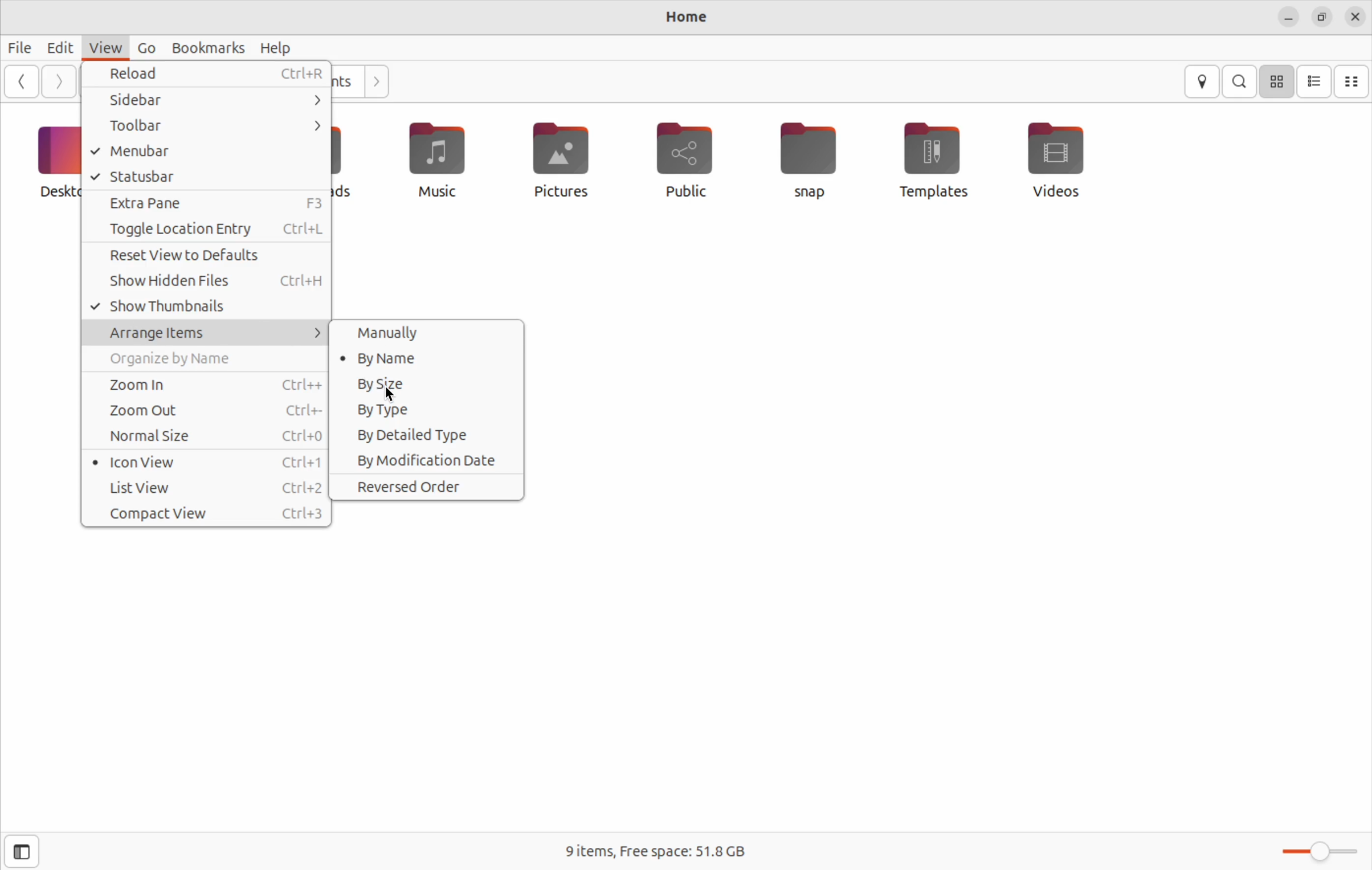  What do you see at coordinates (209, 489) in the screenshot?
I see `list view` at bounding box center [209, 489].